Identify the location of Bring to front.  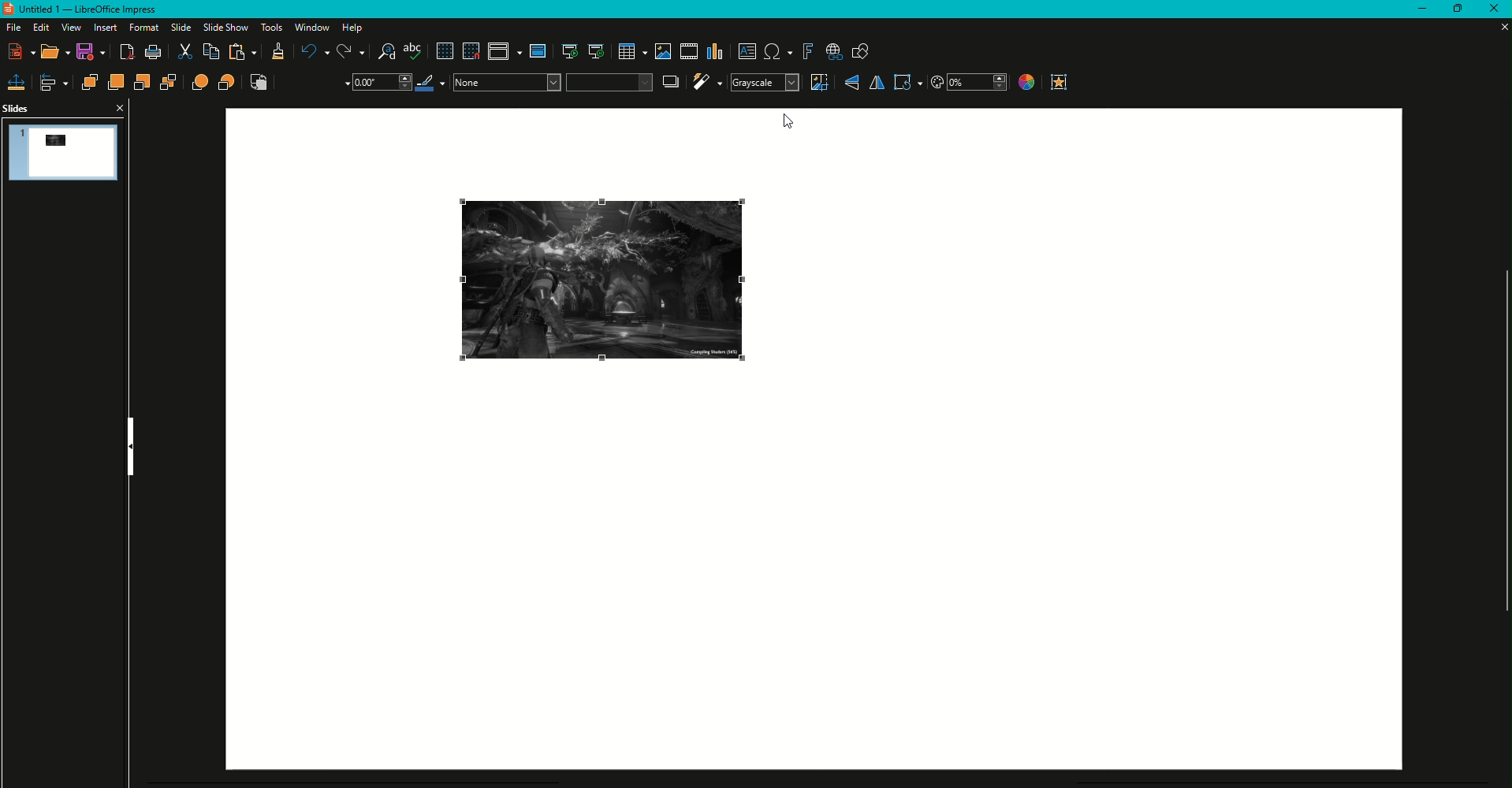
(89, 82).